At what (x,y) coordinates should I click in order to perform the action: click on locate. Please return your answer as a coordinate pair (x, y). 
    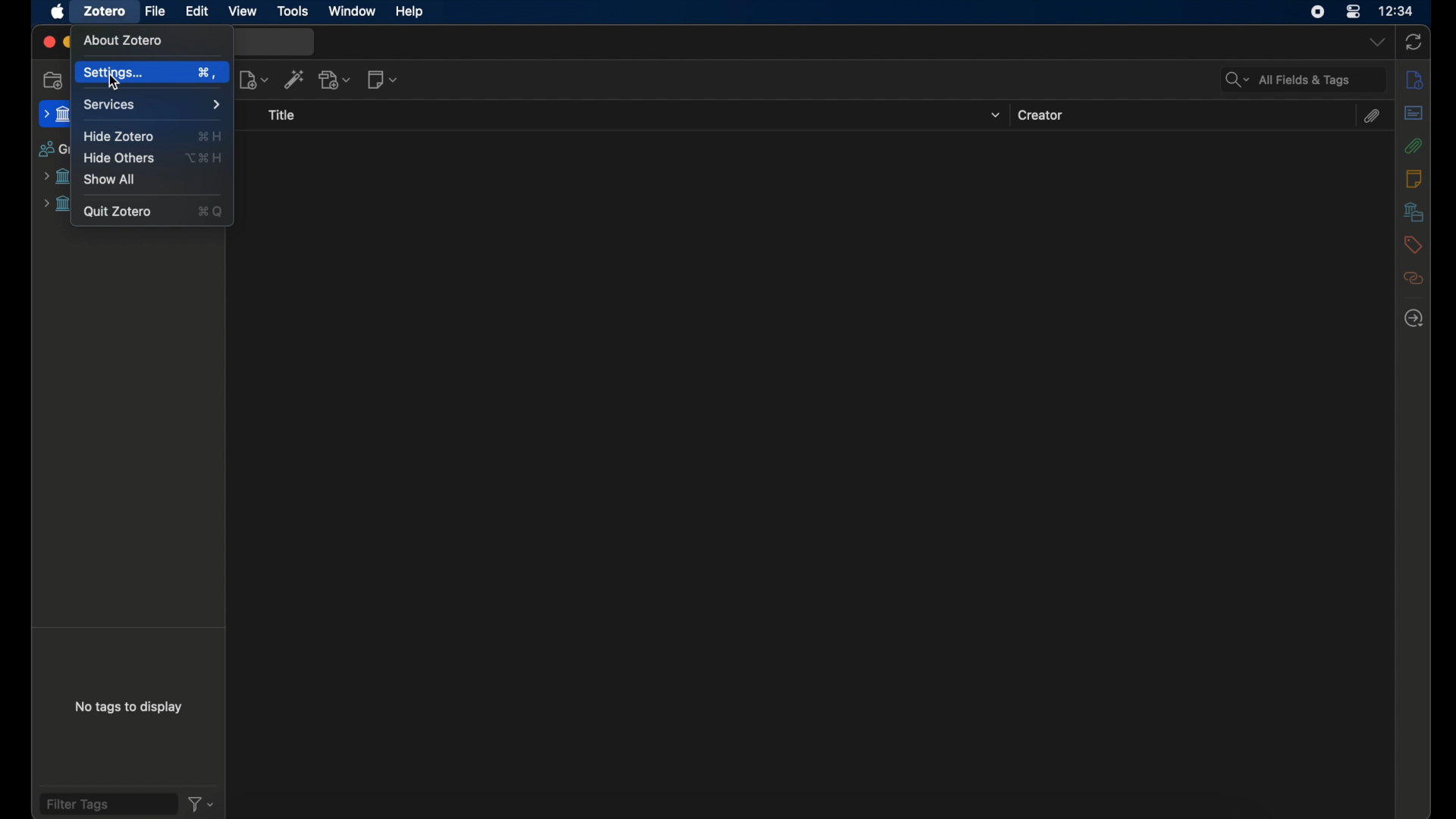
    Looking at the image, I should click on (1415, 318).